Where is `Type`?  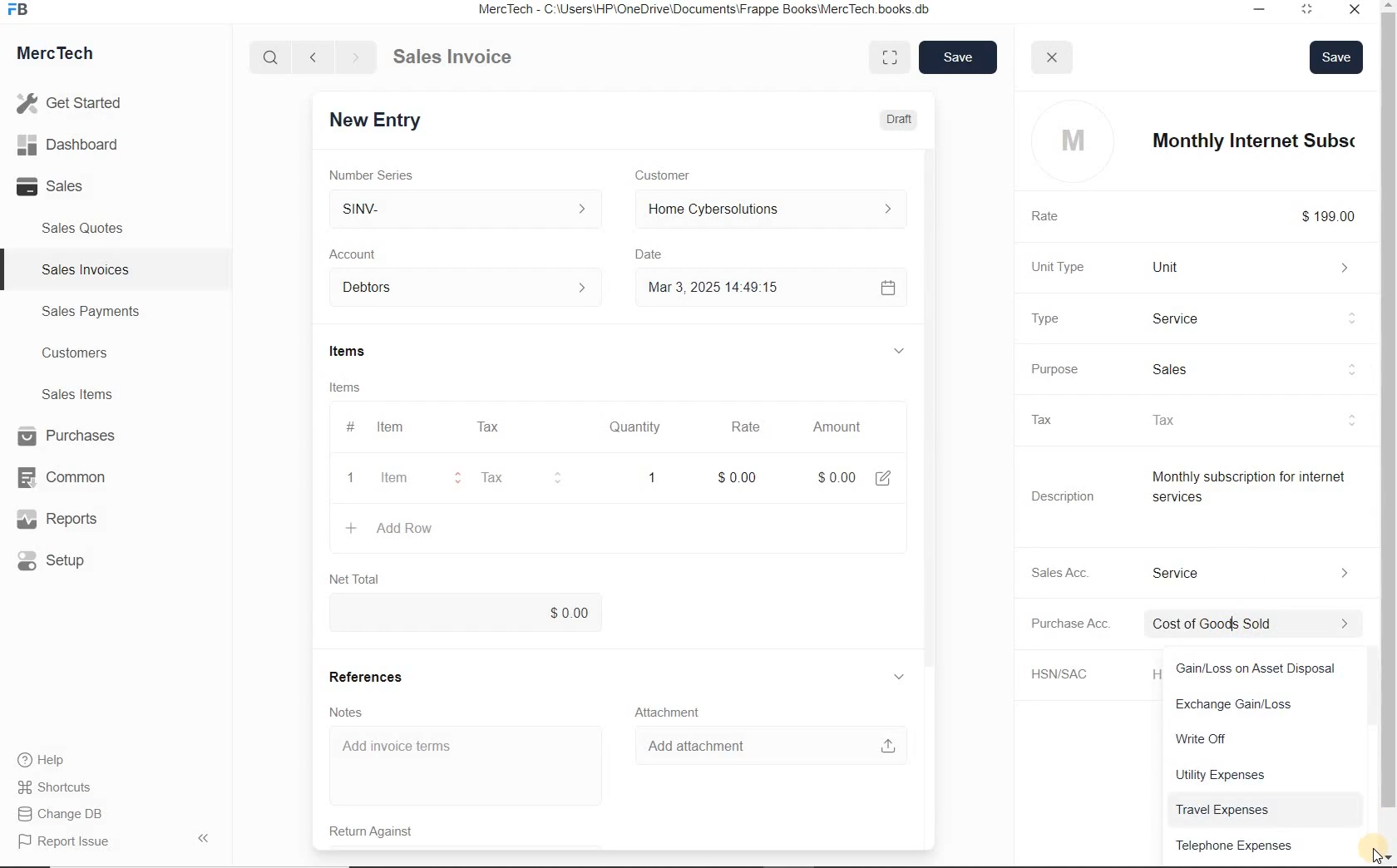
Type is located at coordinates (1061, 318).